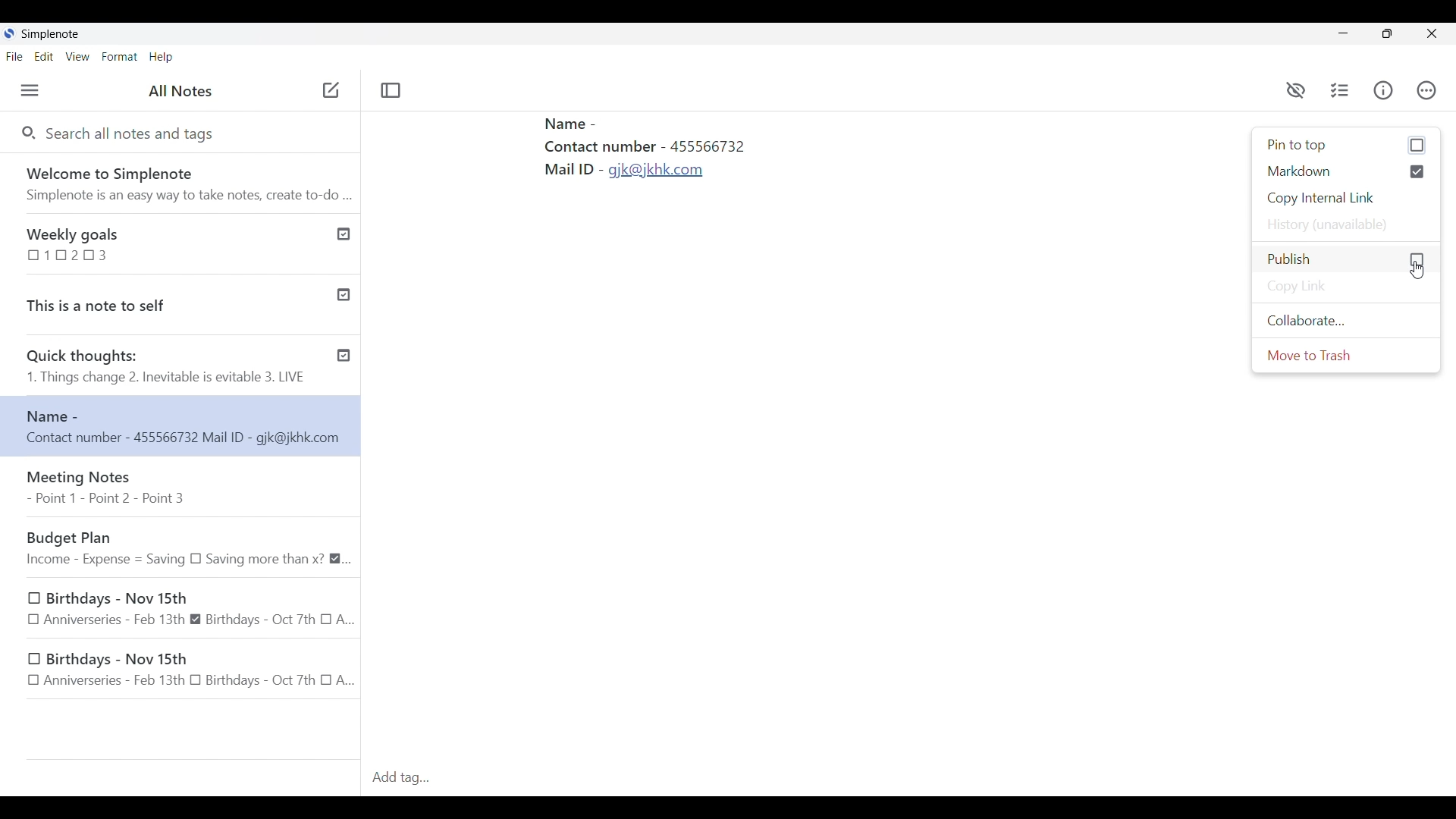  Describe the element at coordinates (136, 134) in the screenshot. I see `Search all notes and tags` at that location.